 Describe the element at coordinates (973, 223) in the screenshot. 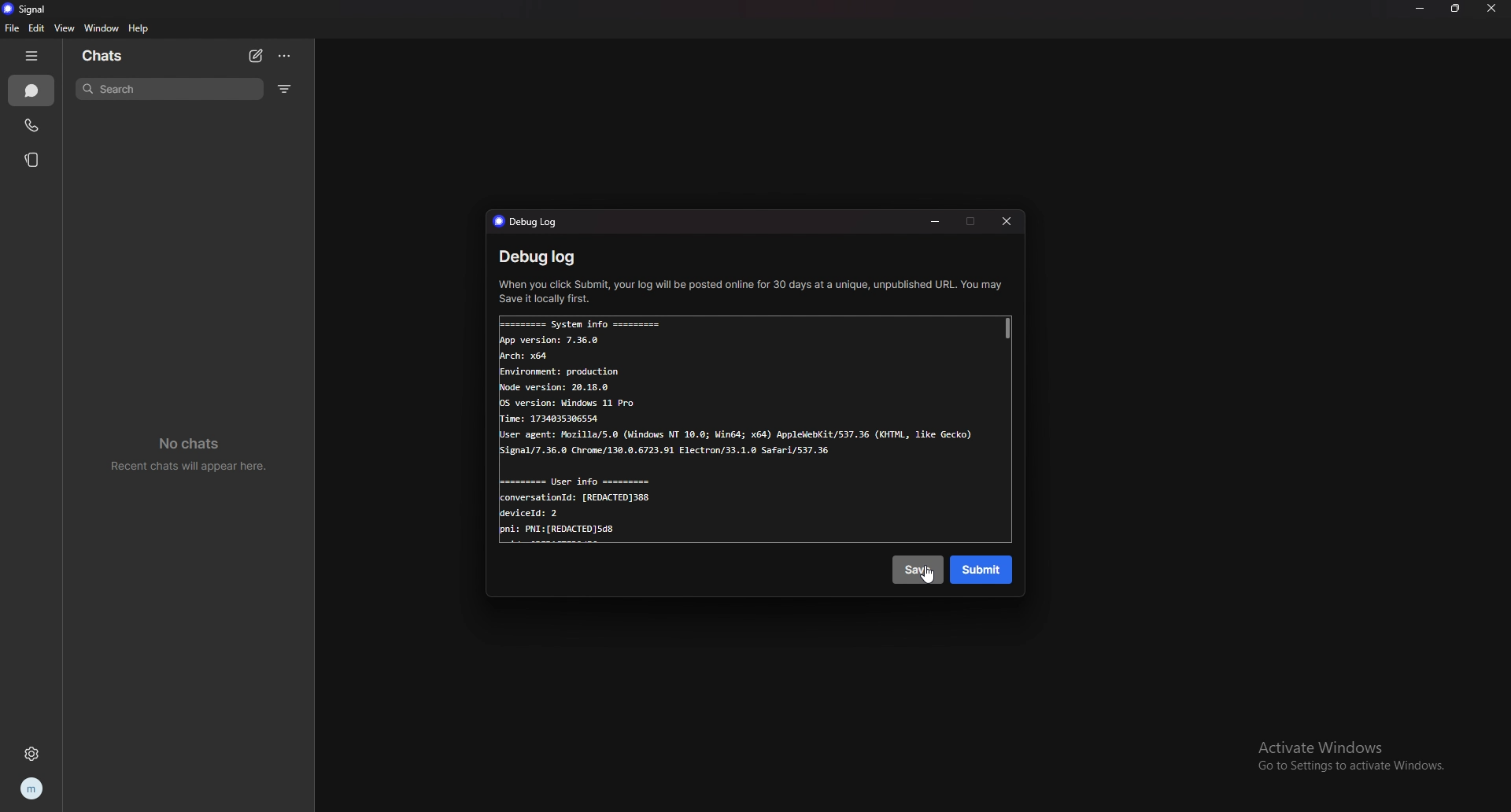

I see `maximize` at that location.